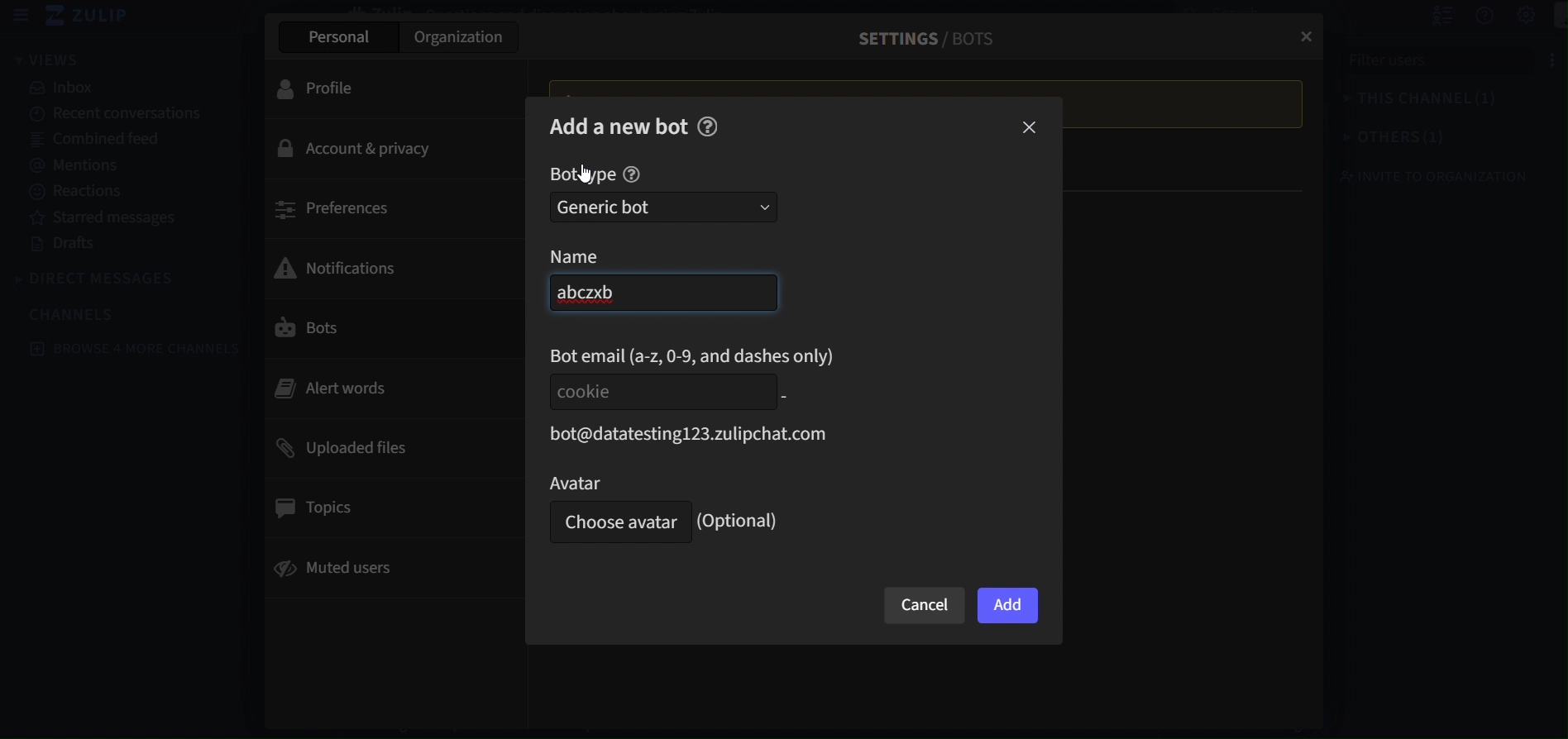 This screenshot has width=1568, height=739. What do you see at coordinates (708, 126) in the screenshot?
I see `help` at bounding box center [708, 126].